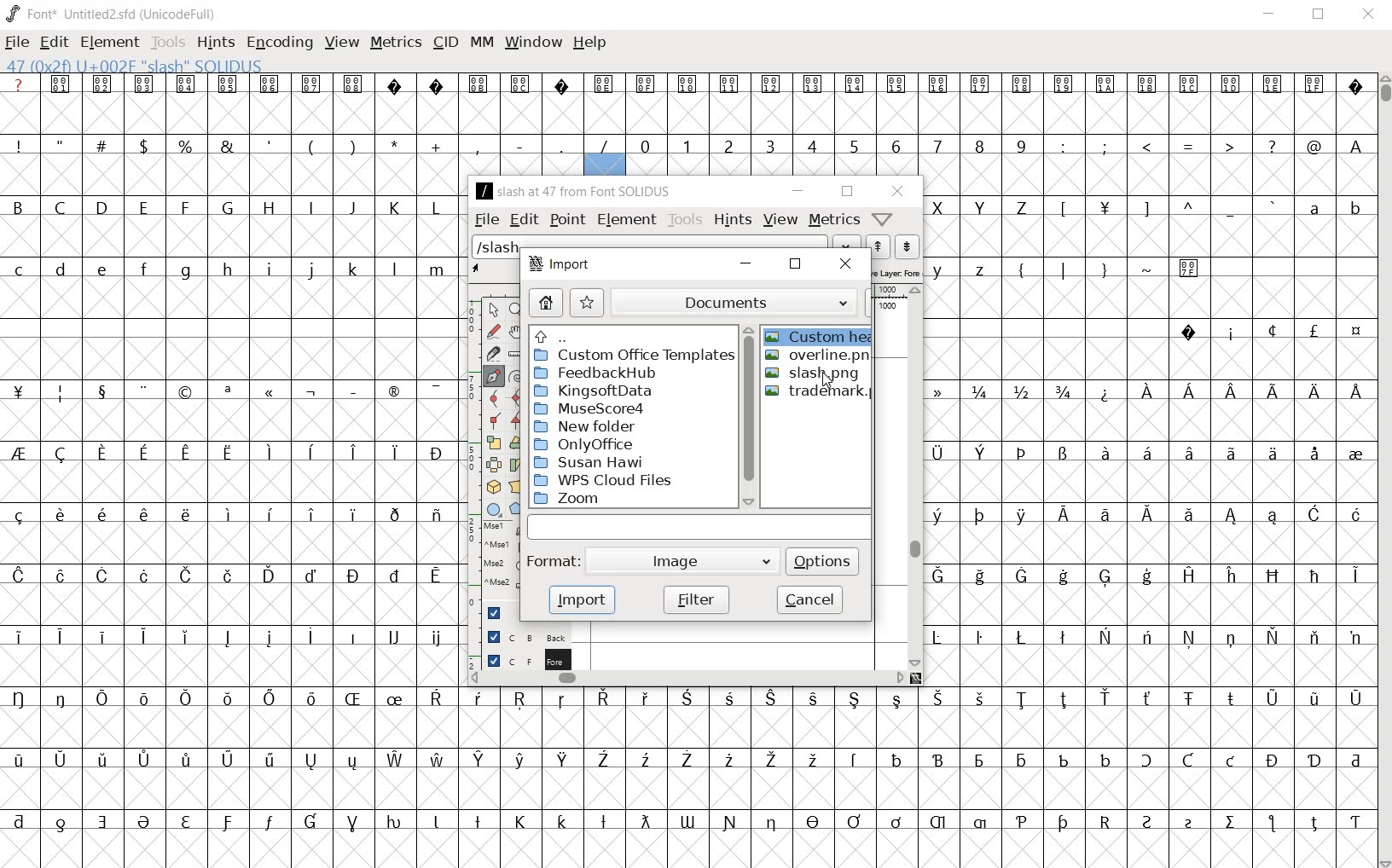 The width and height of the screenshot is (1392, 868). I want to click on empty cells, so click(233, 423).